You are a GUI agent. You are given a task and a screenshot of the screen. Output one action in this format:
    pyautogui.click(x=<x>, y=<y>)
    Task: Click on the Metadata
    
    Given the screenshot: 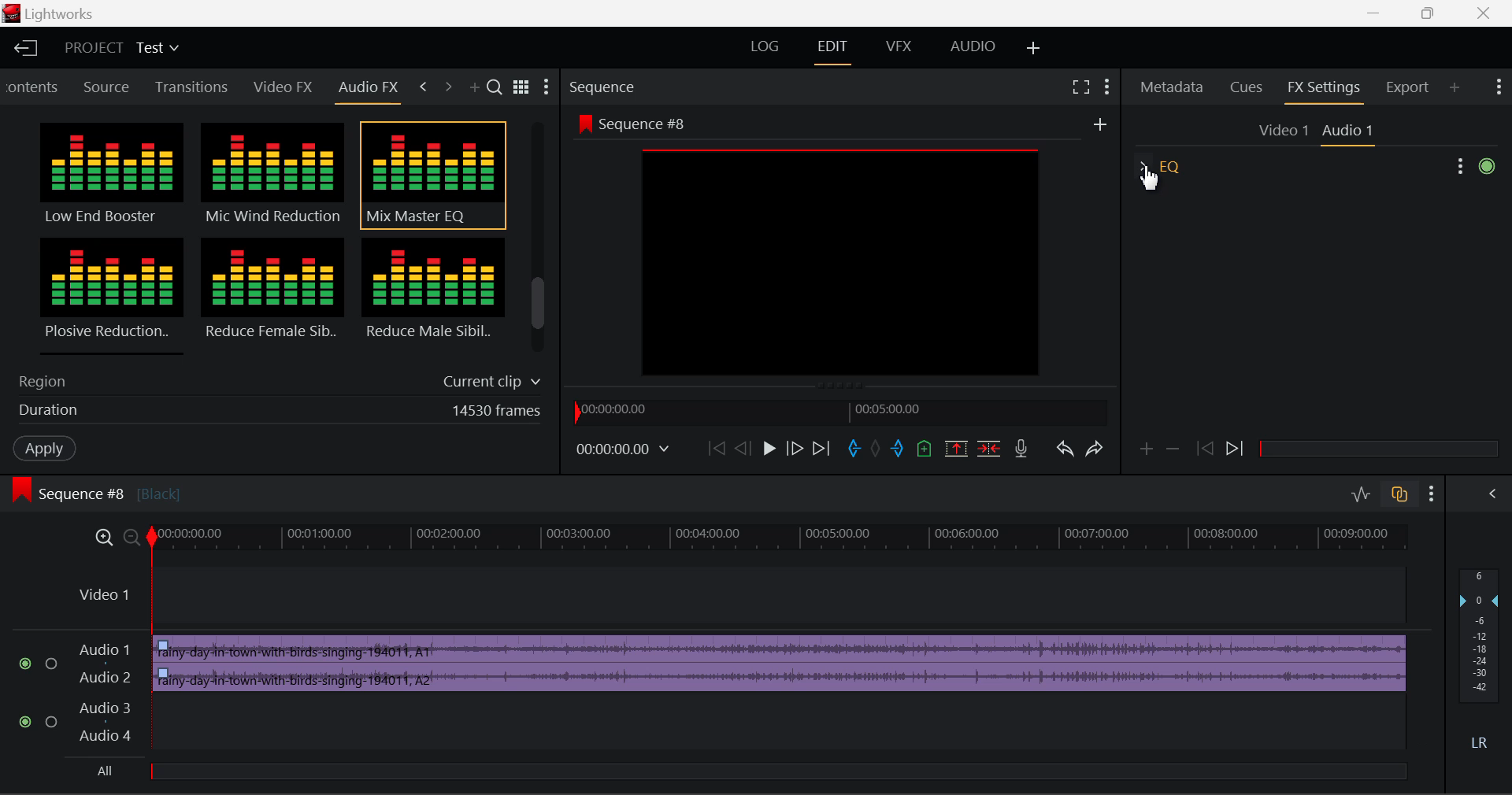 What is the action you would take?
    pyautogui.click(x=1173, y=89)
    